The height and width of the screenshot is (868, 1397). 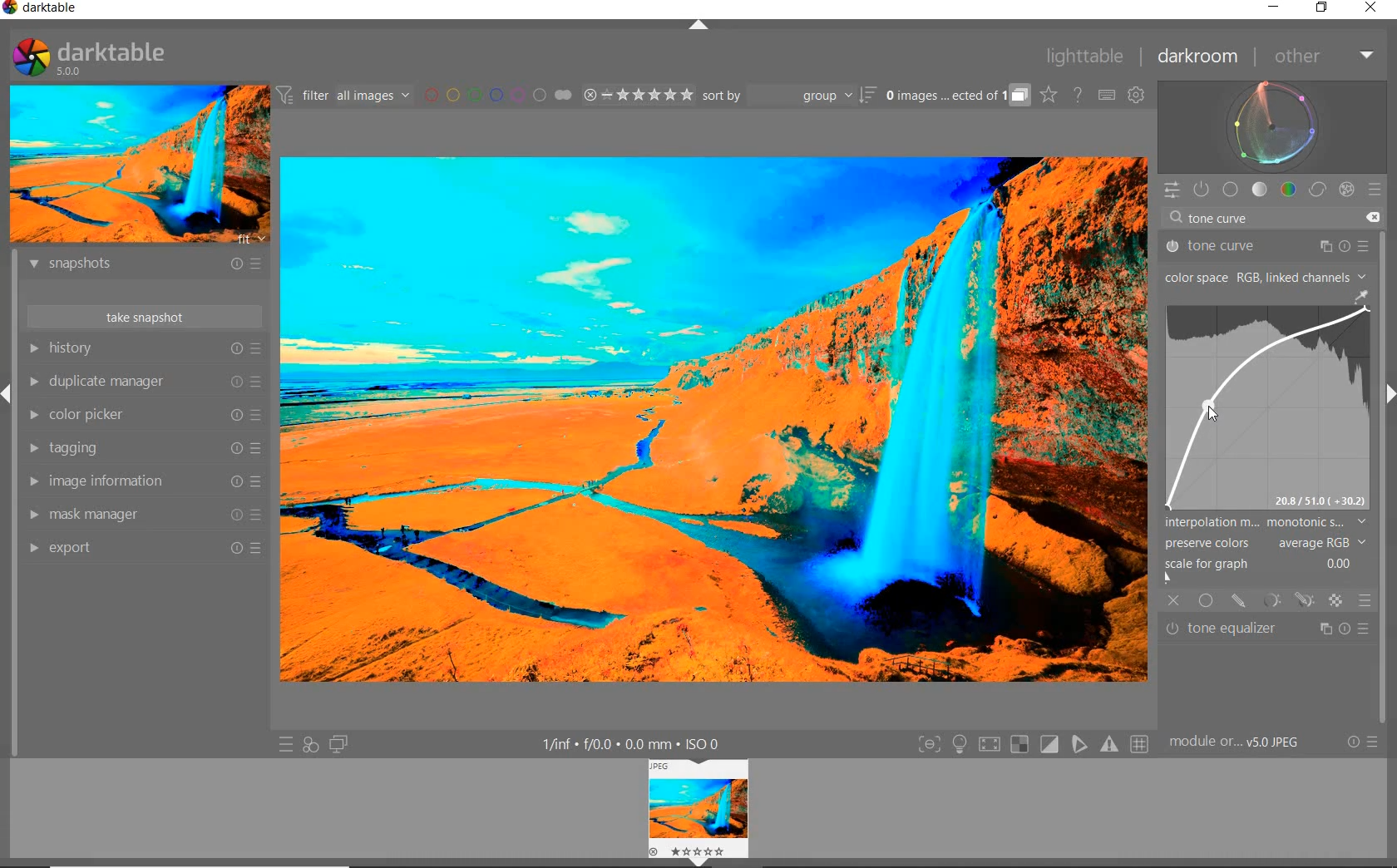 What do you see at coordinates (1376, 187) in the screenshot?
I see `preset` at bounding box center [1376, 187].